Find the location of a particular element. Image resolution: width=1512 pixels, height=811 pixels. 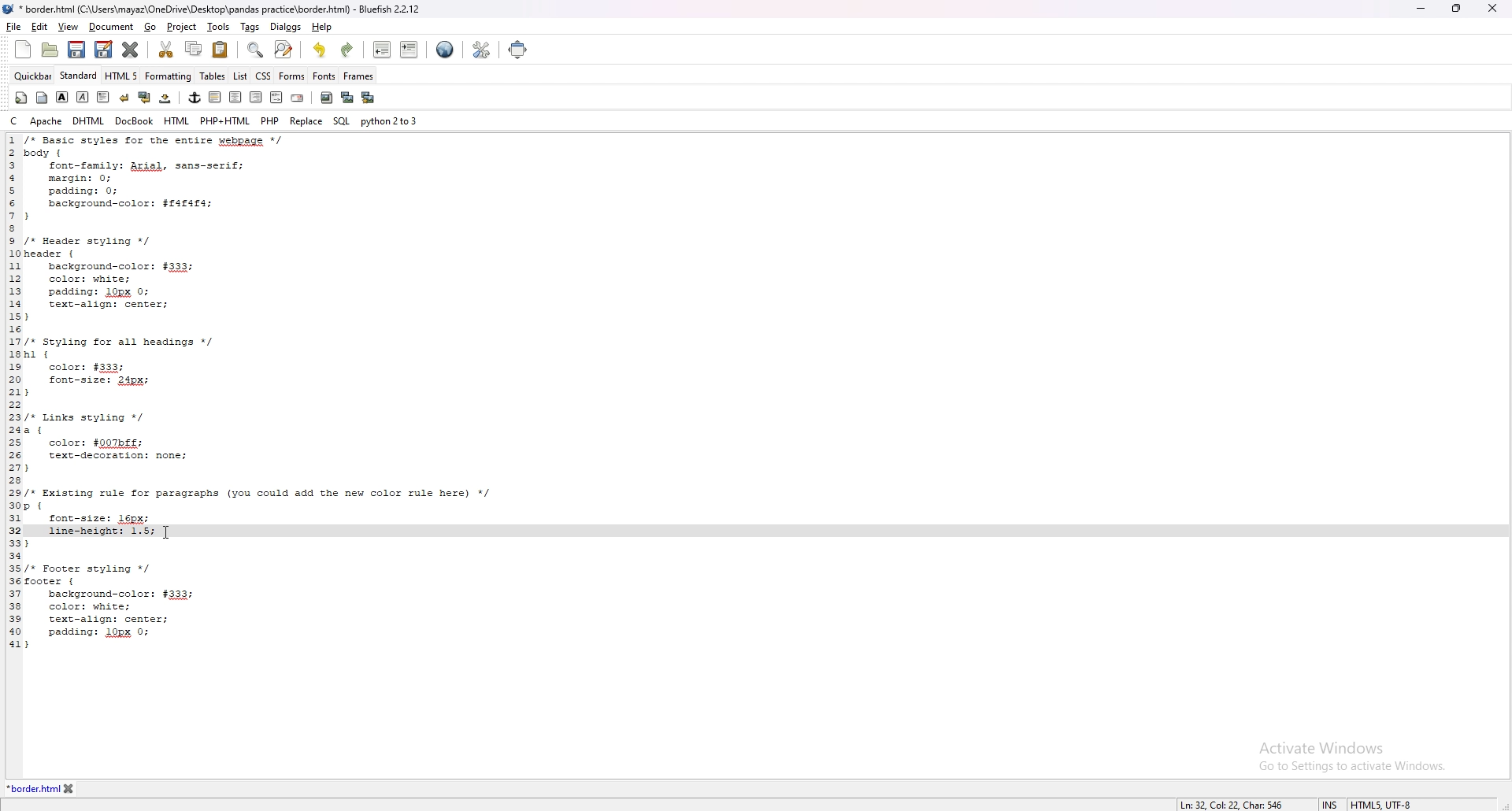

cut is located at coordinates (168, 50).